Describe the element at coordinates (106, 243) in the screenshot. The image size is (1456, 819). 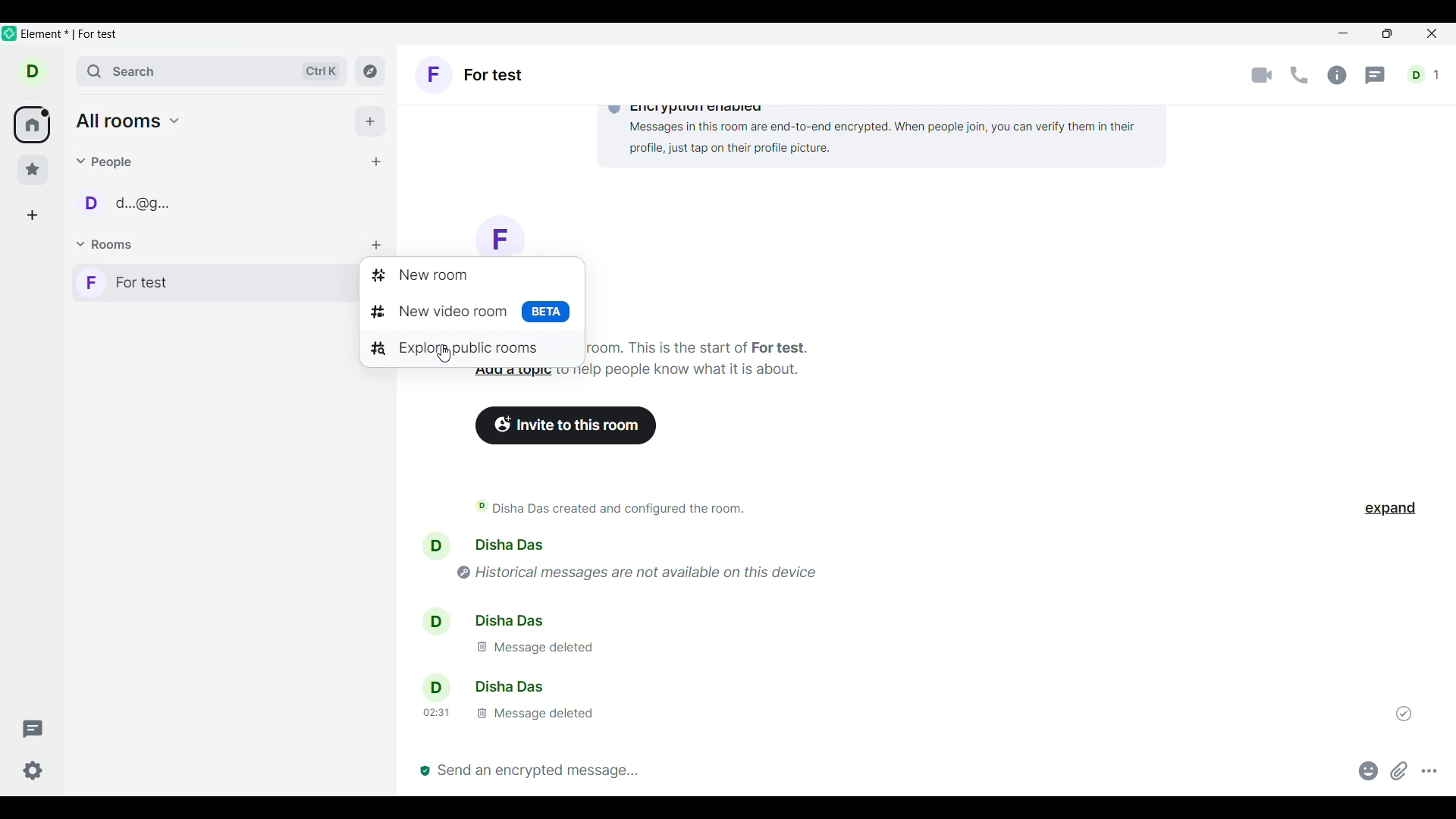
I see `Rooms` at that location.